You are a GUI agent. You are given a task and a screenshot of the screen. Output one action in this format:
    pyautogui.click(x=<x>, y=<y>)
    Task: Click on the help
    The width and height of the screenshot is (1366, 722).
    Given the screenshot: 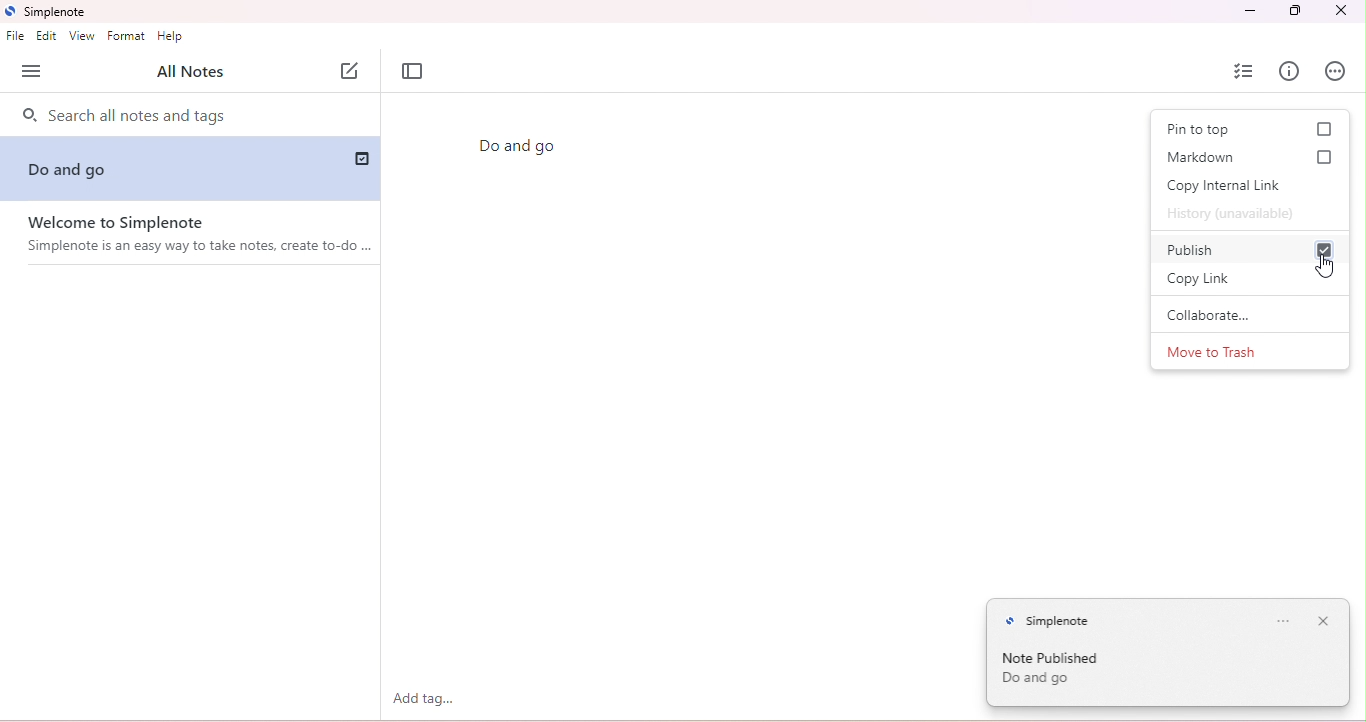 What is the action you would take?
    pyautogui.click(x=172, y=38)
    